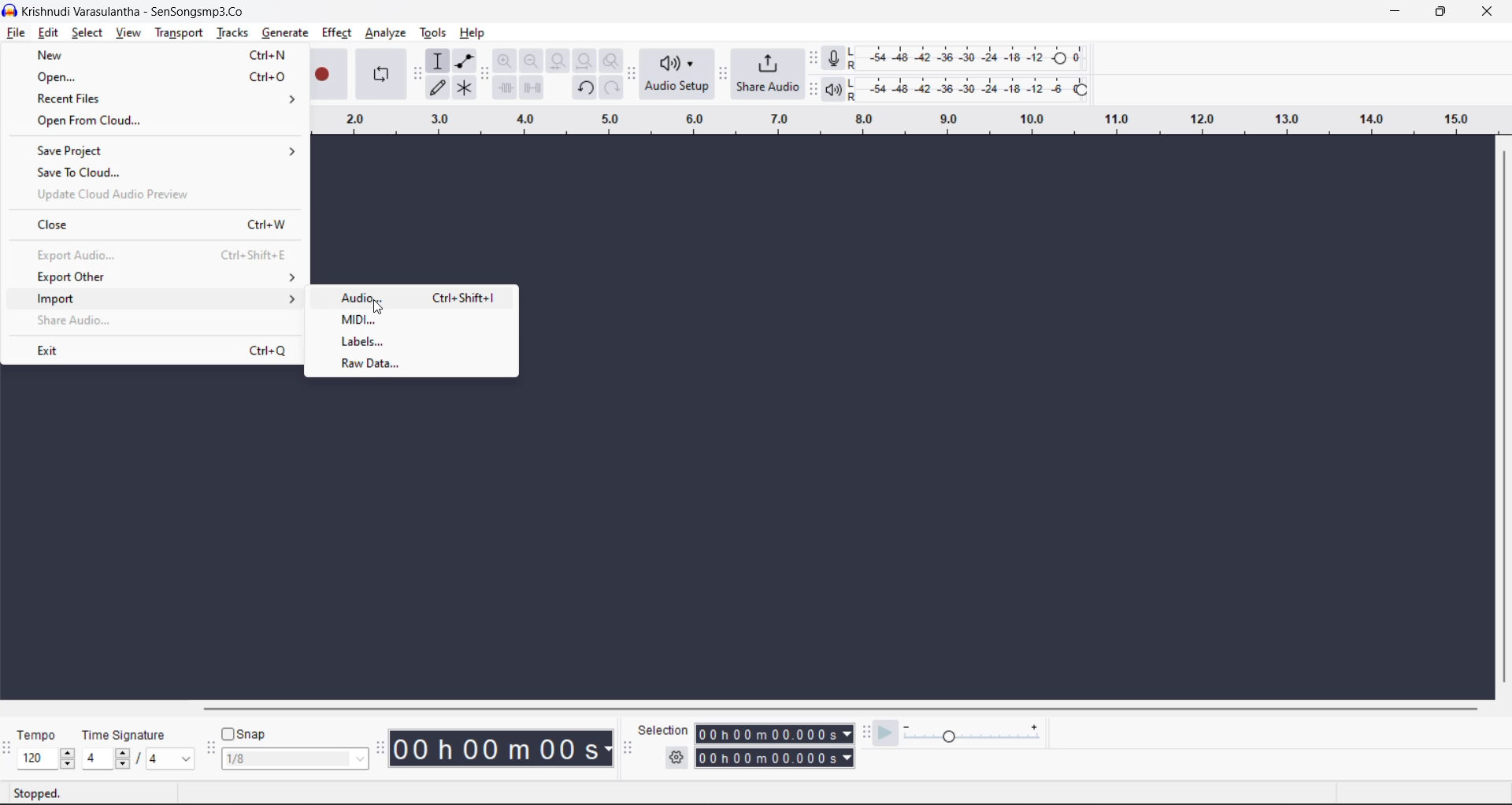 Image resolution: width=1512 pixels, height=805 pixels. What do you see at coordinates (388, 33) in the screenshot?
I see `analyze` at bounding box center [388, 33].